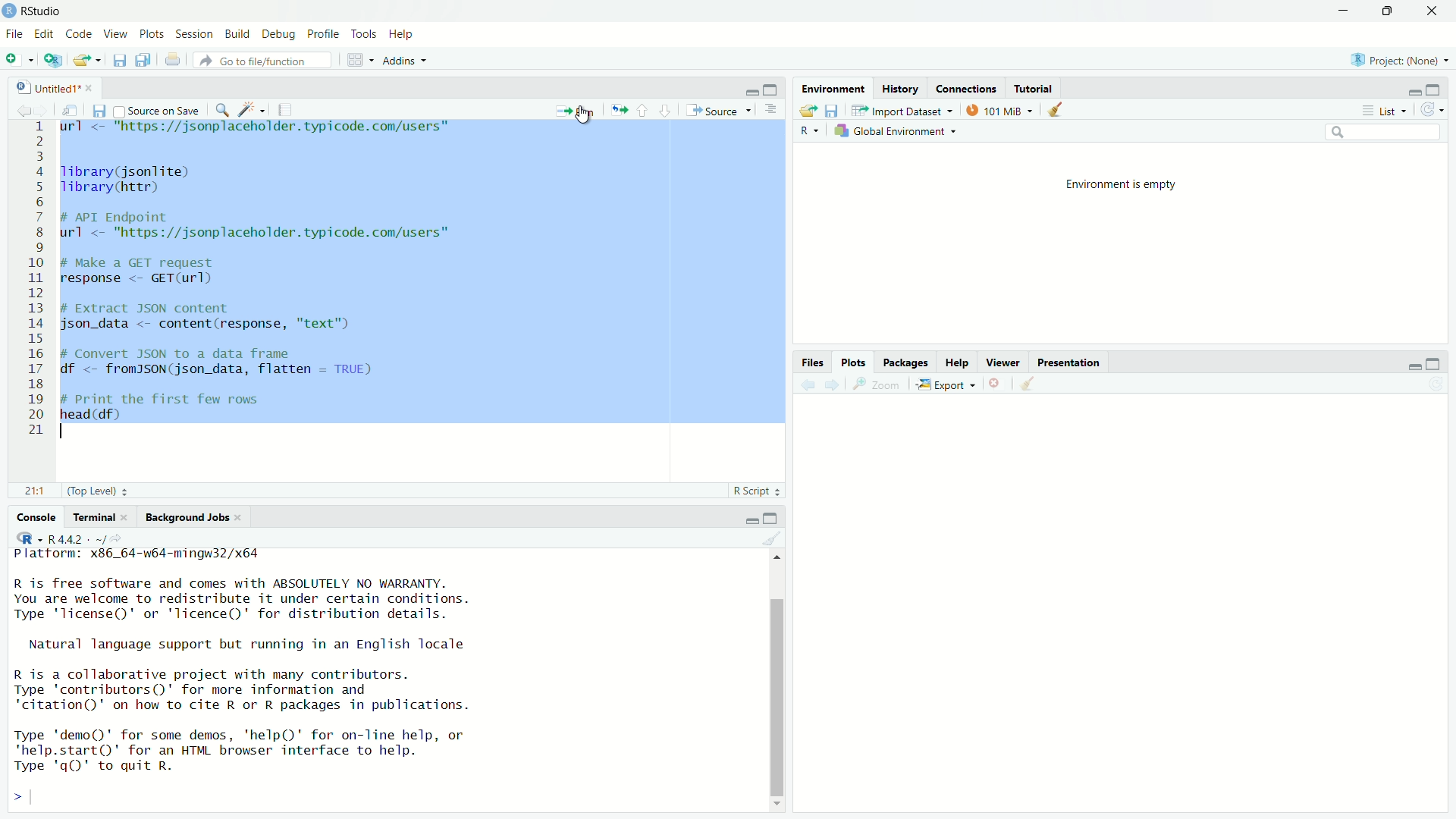 The height and width of the screenshot is (819, 1456). What do you see at coordinates (807, 388) in the screenshot?
I see `Previous` at bounding box center [807, 388].